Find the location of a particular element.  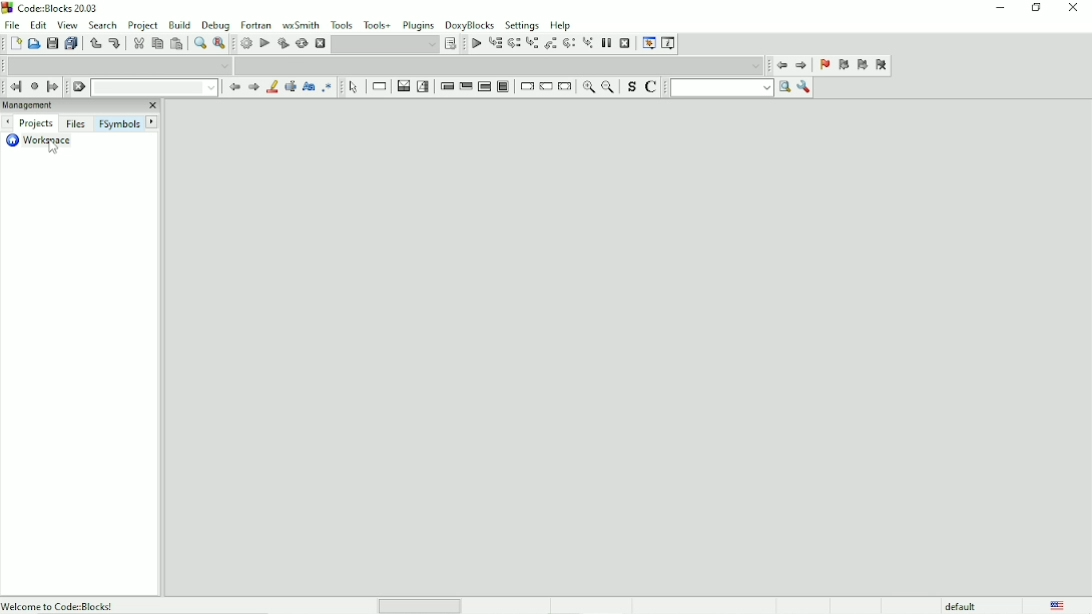

Tools is located at coordinates (342, 24).